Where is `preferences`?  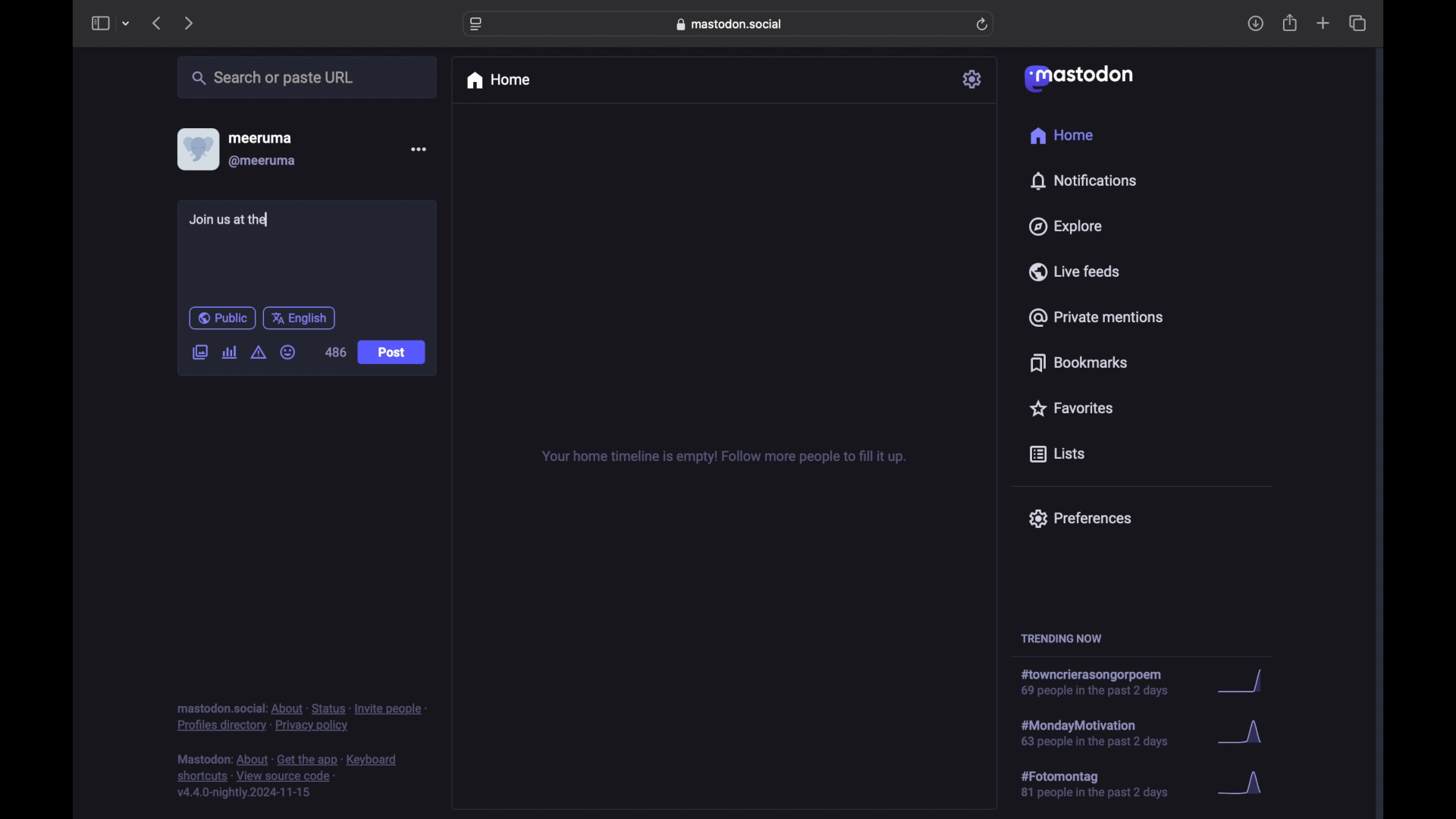 preferences is located at coordinates (1079, 517).